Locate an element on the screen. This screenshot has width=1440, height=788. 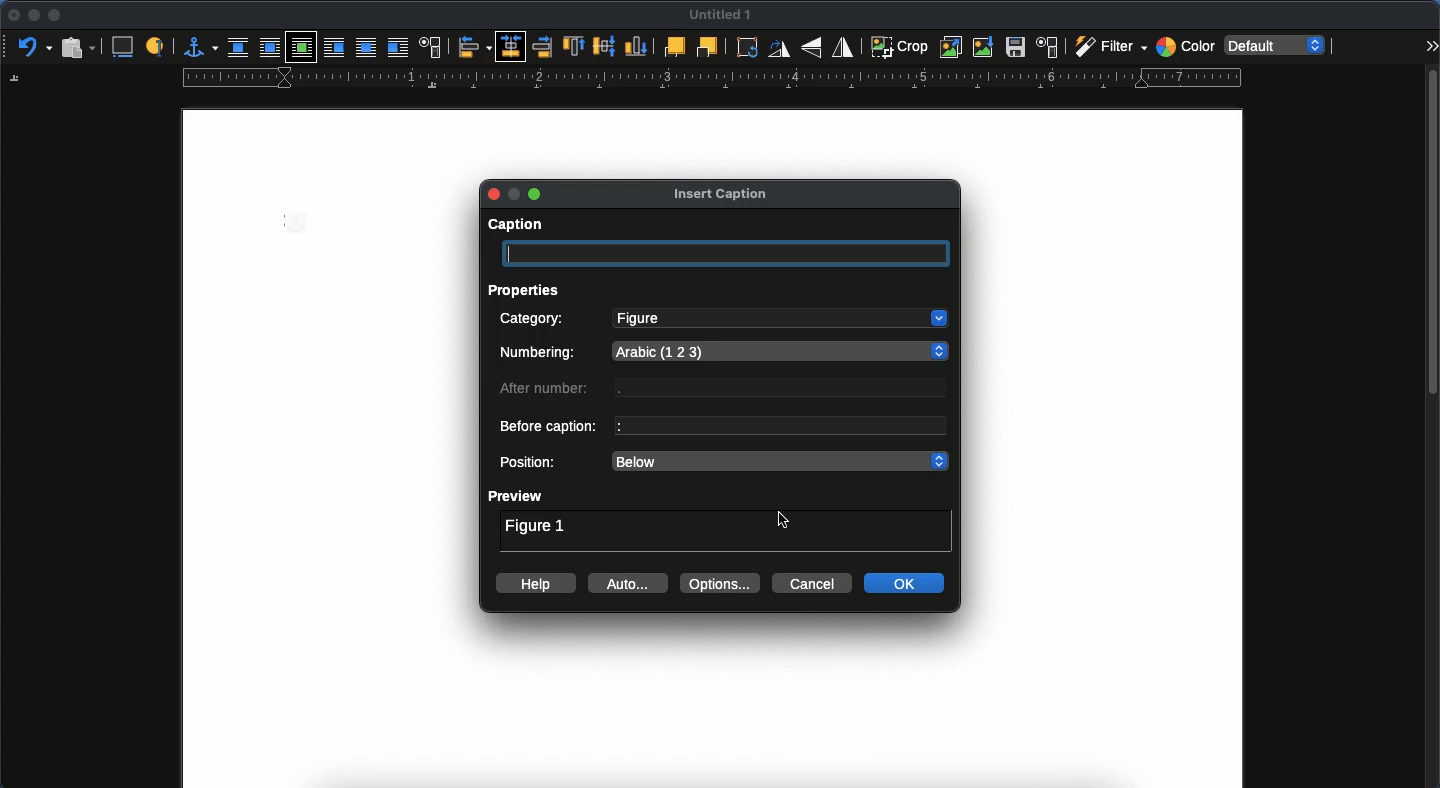
close is located at coordinates (12, 16).